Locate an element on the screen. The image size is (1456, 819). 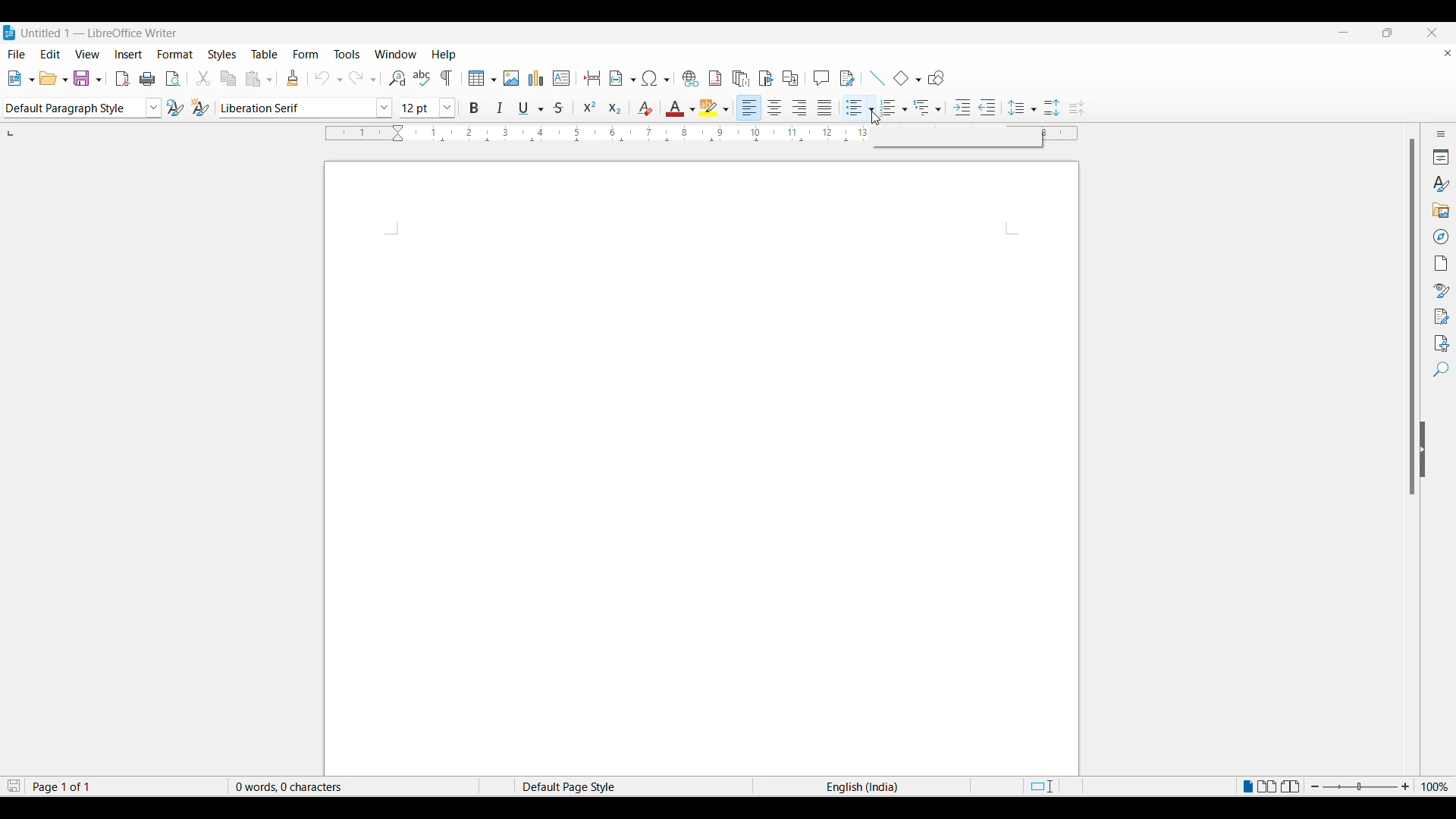
Page is located at coordinates (1440, 262).